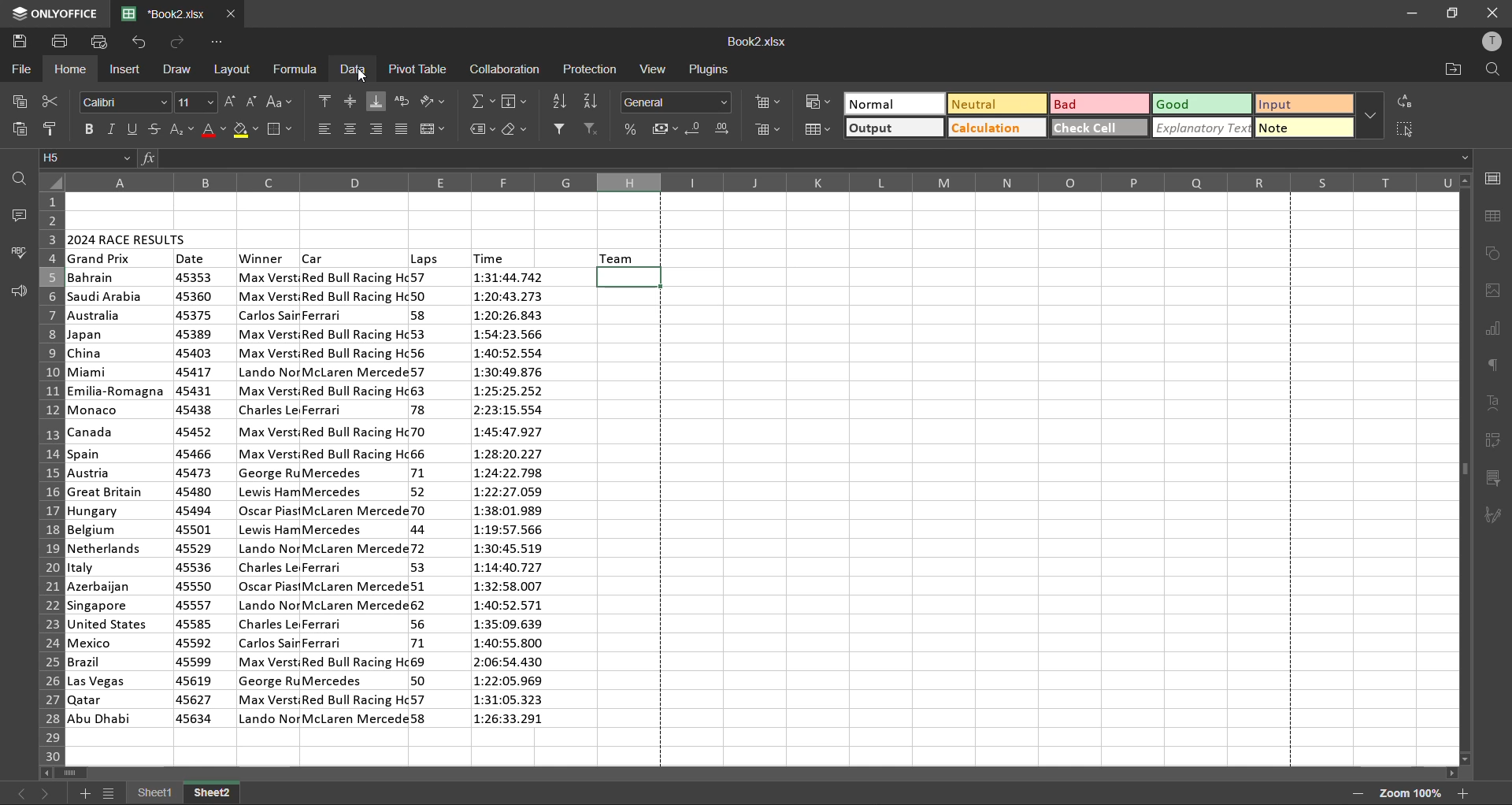 This screenshot has width=1512, height=805. I want to click on zoom out, so click(1358, 796).